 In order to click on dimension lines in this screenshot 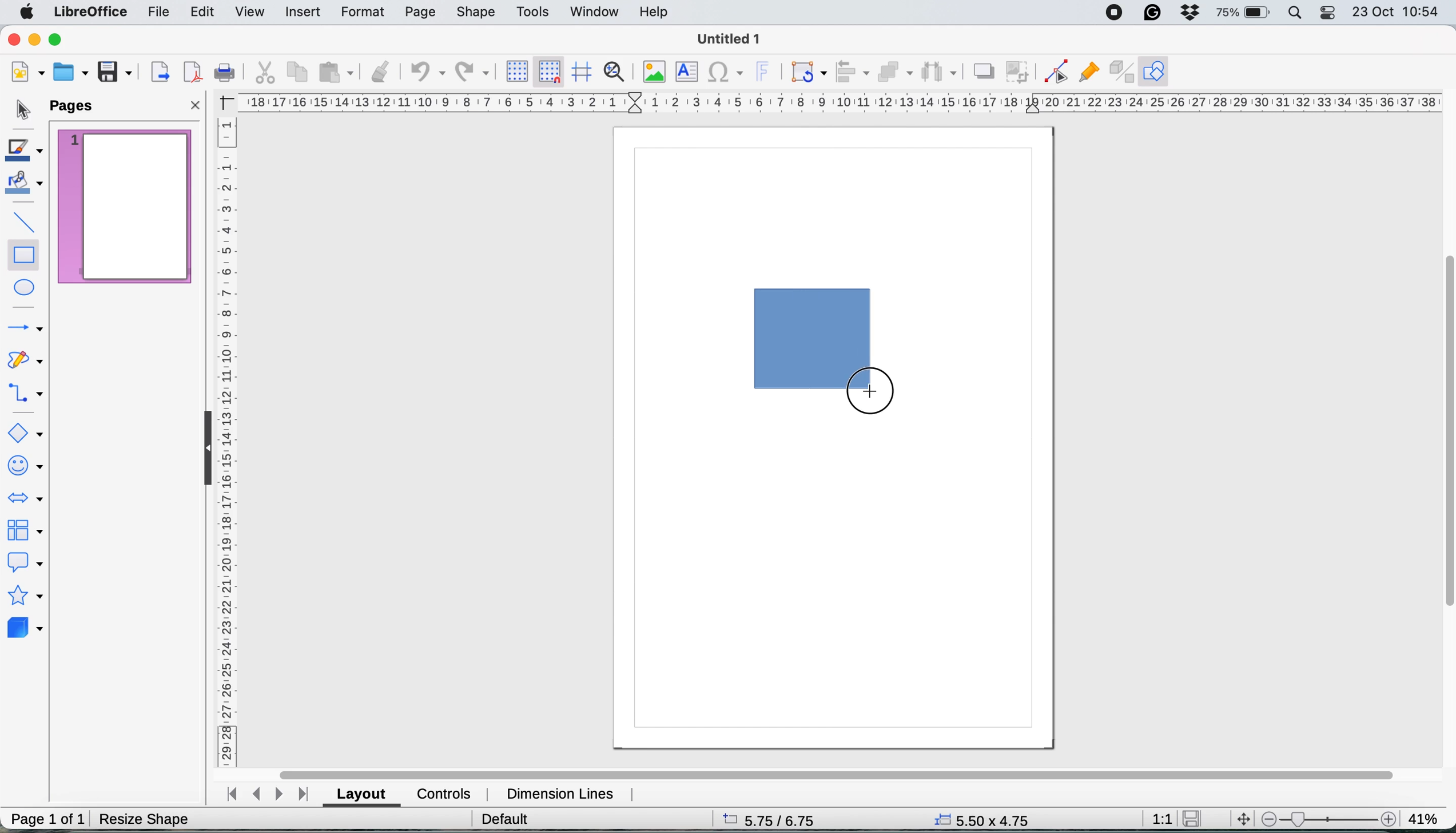, I will do `click(562, 792)`.